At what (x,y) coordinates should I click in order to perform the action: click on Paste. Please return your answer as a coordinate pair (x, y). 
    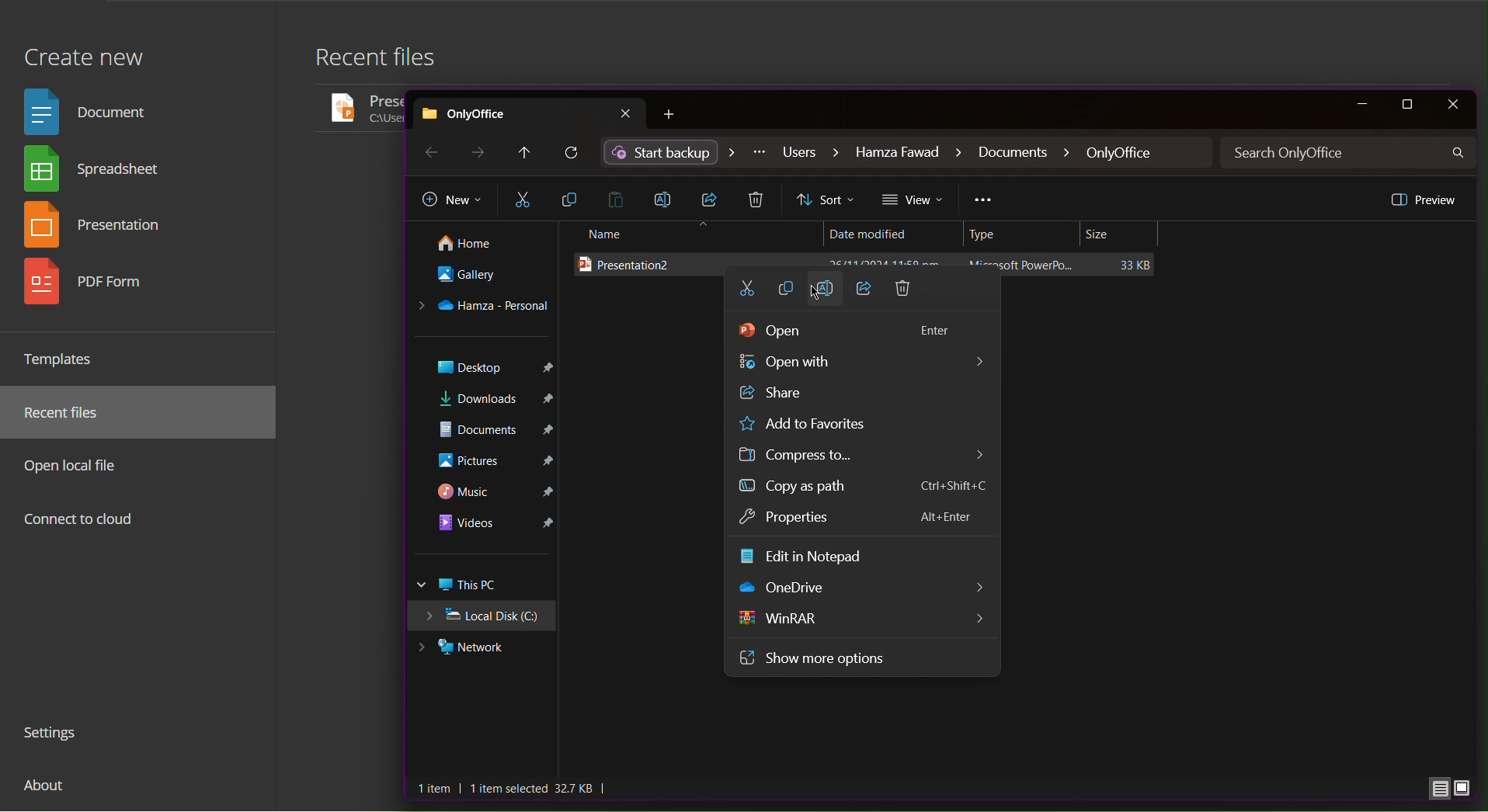
    Looking at the image, I should click on (620, 199).